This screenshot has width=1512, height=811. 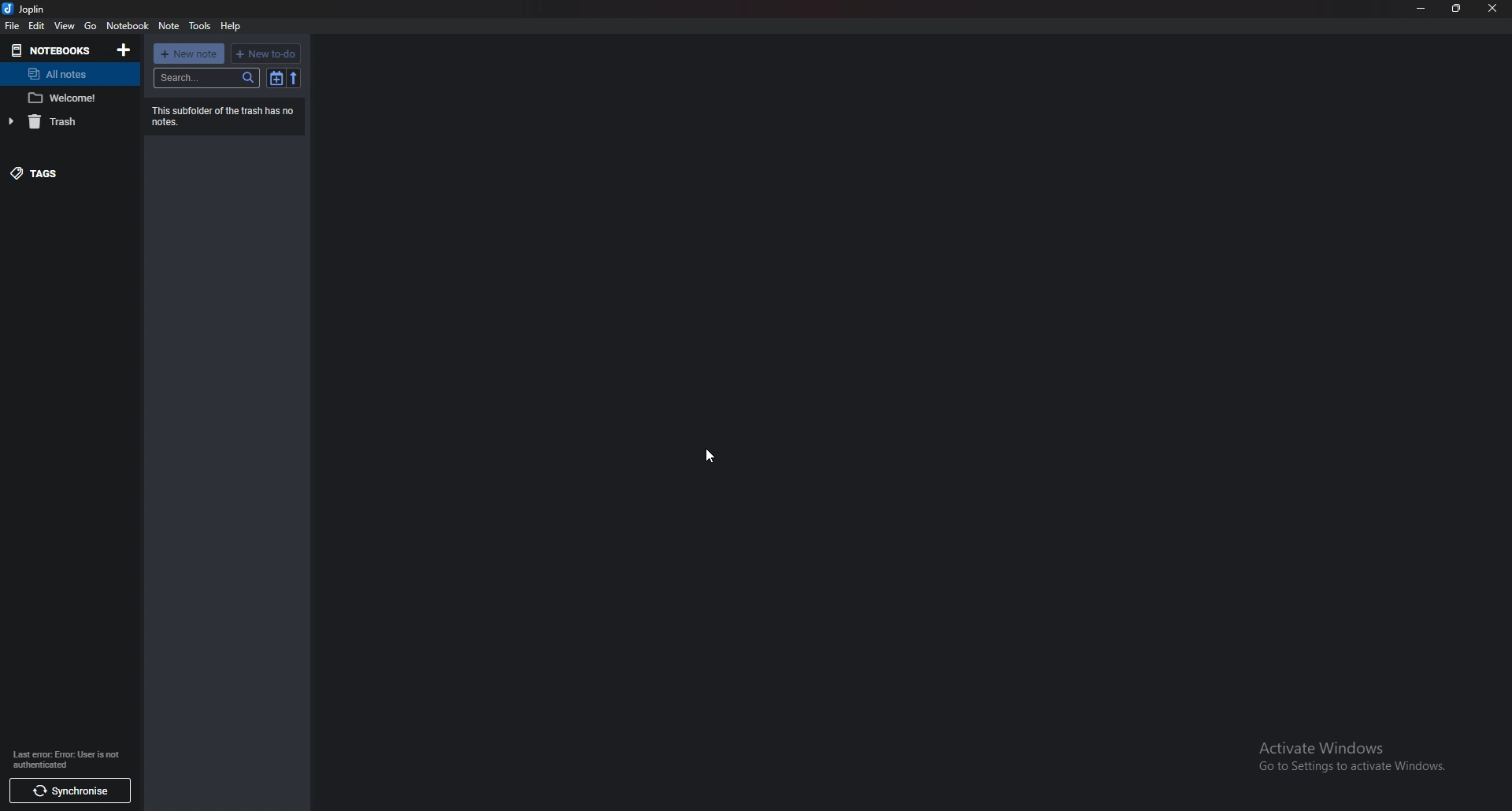 I want to click on activate windows, so click(x=1357, y=754).